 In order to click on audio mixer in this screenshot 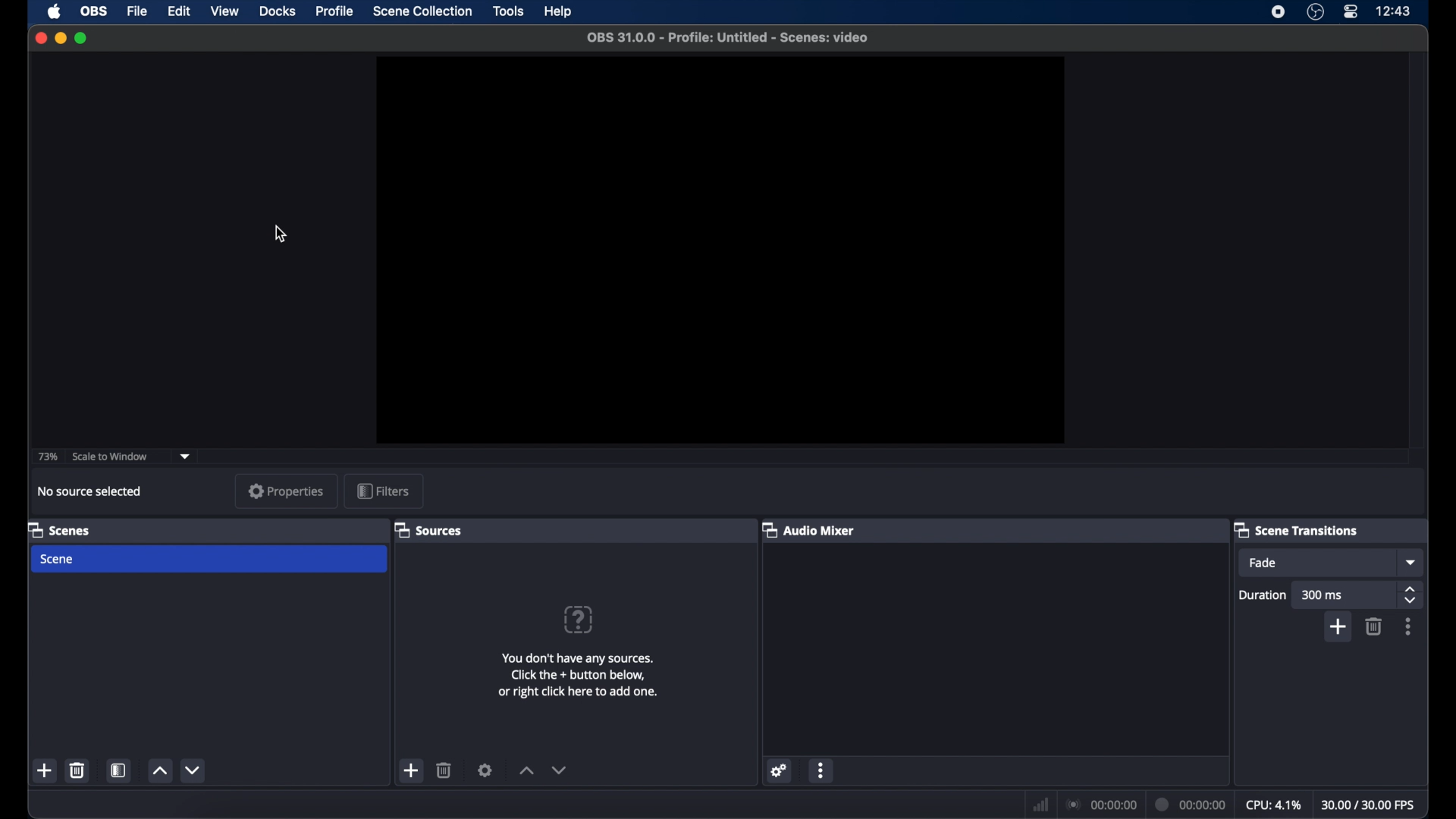, I will do `click(811, 530)`.